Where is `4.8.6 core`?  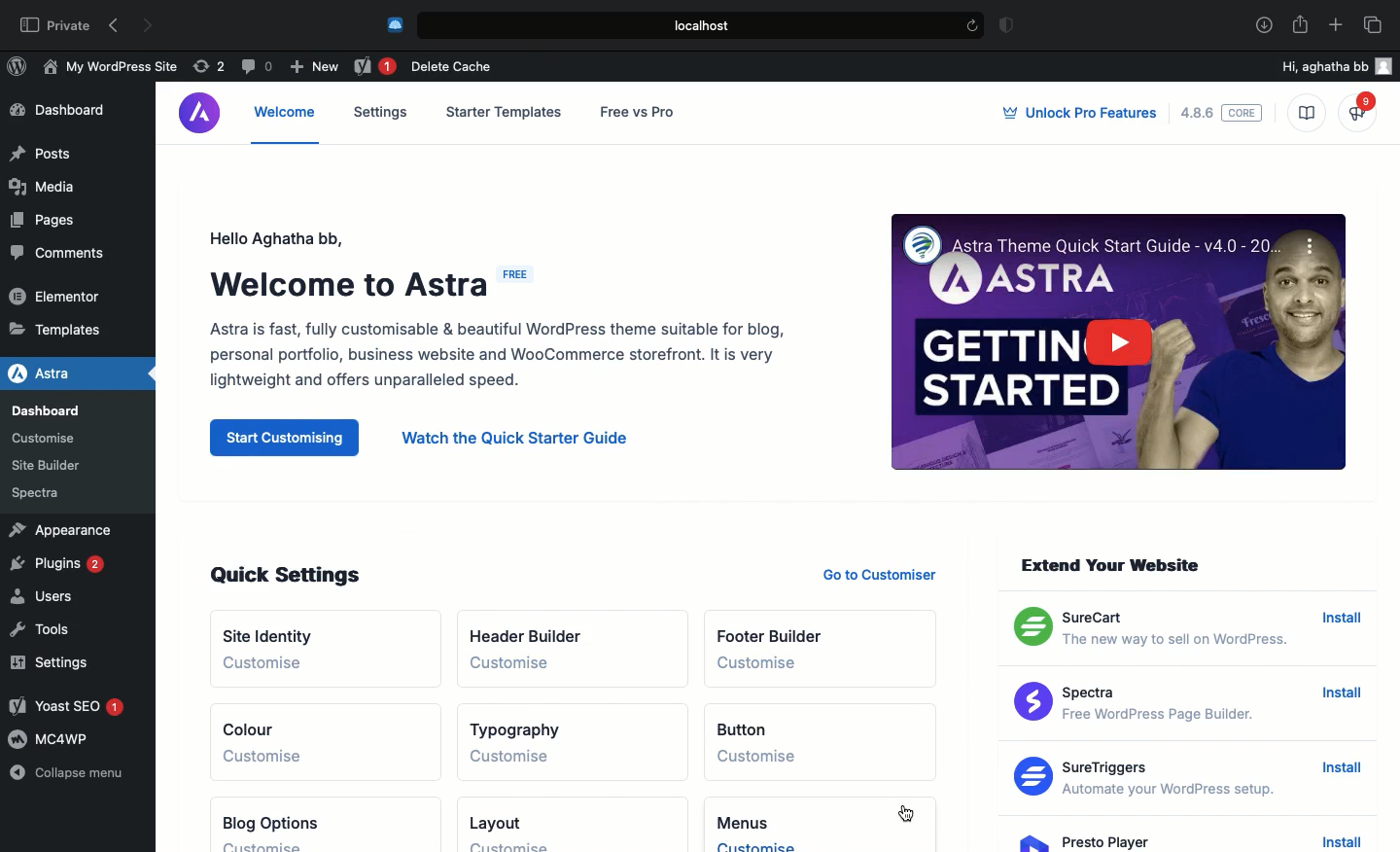
4.8.6 core is located at coordinates (1222, 111).